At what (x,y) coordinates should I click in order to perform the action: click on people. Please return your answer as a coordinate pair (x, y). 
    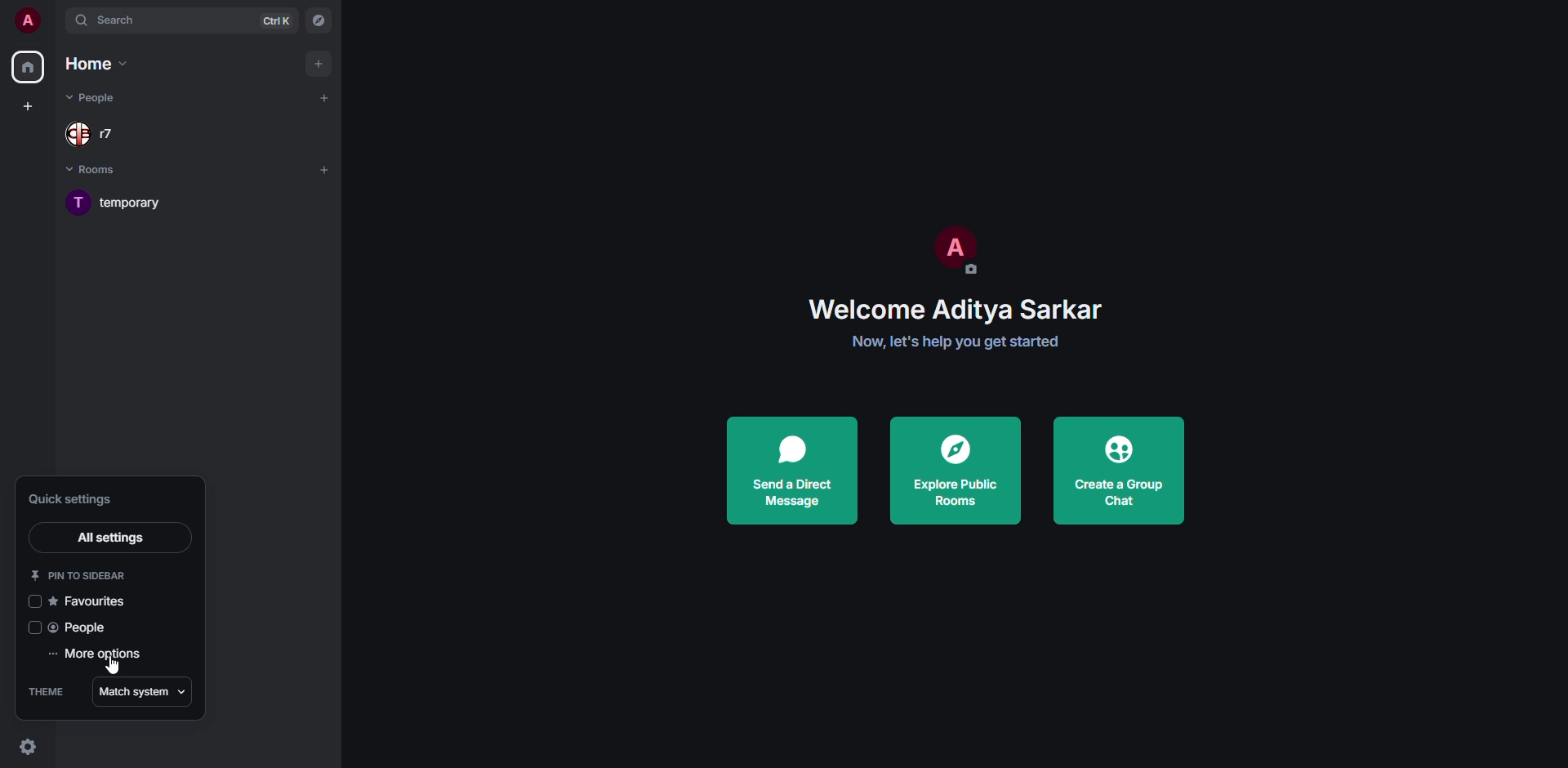
    Looking at the image, I should click on (99, 132).